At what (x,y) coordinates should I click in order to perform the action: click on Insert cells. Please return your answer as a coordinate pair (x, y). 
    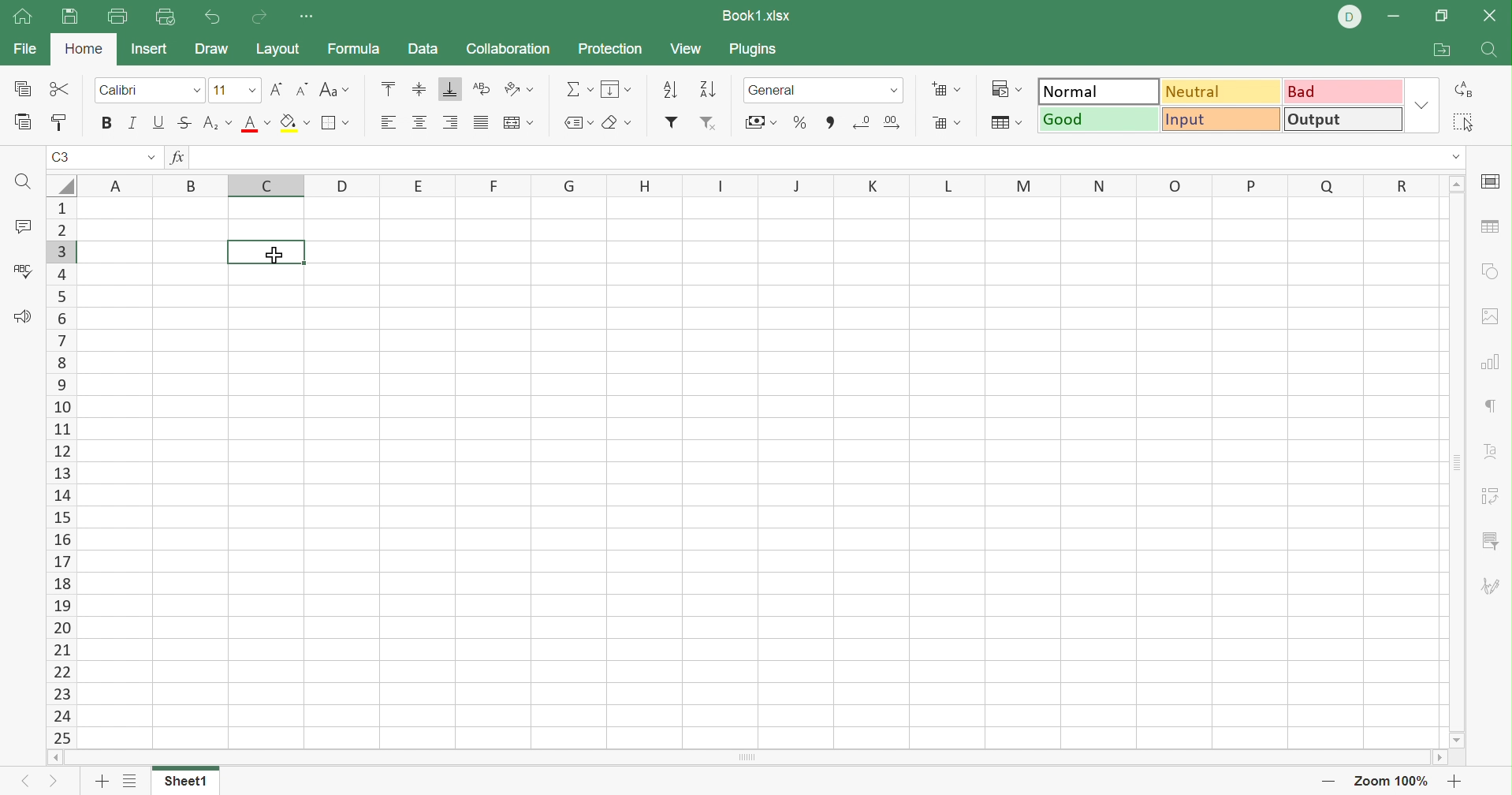
    Looking at the image, I should click on (944, 88).